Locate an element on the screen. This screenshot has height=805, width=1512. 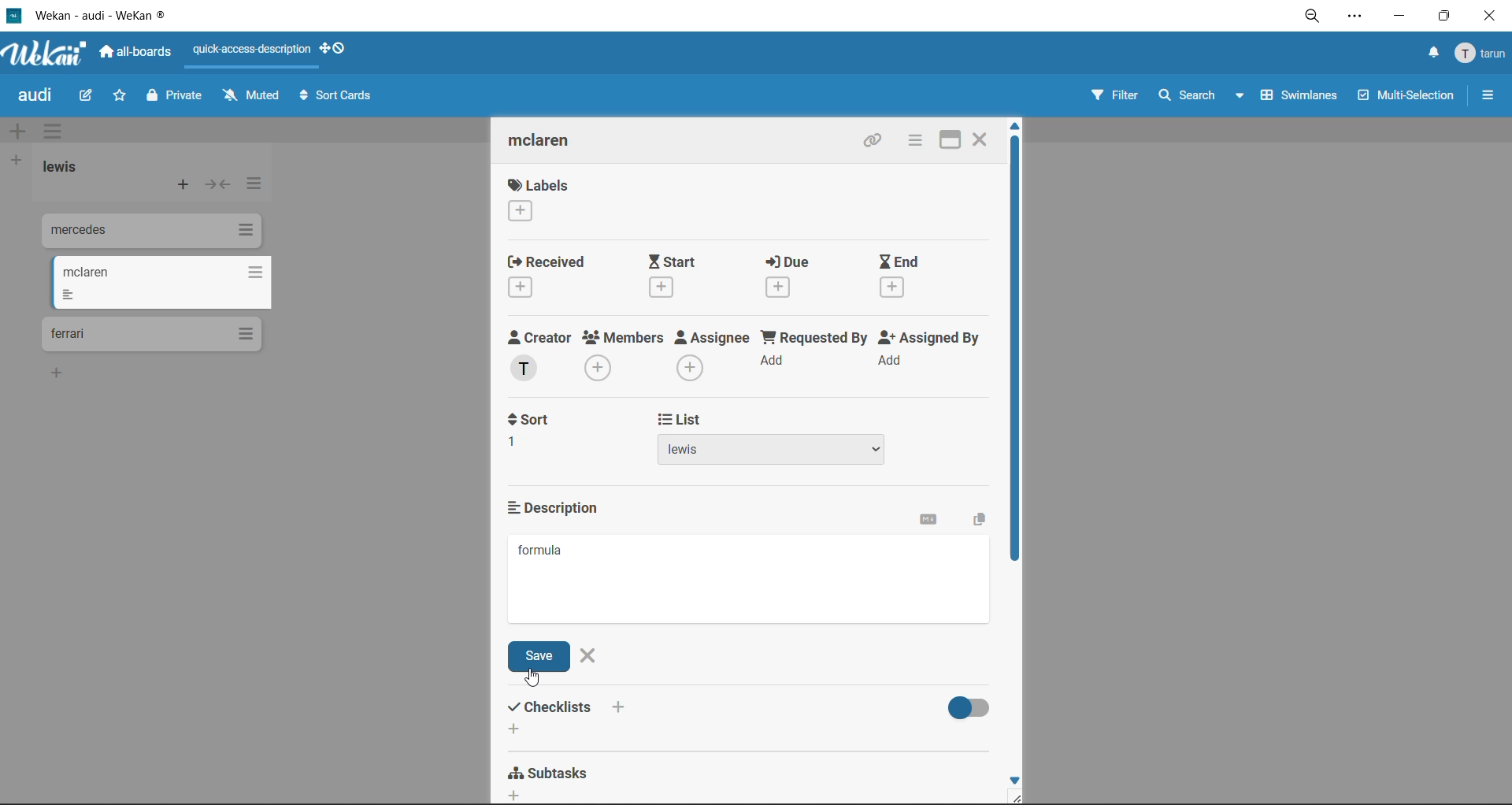
requested by is located at coordinates (813, 354).